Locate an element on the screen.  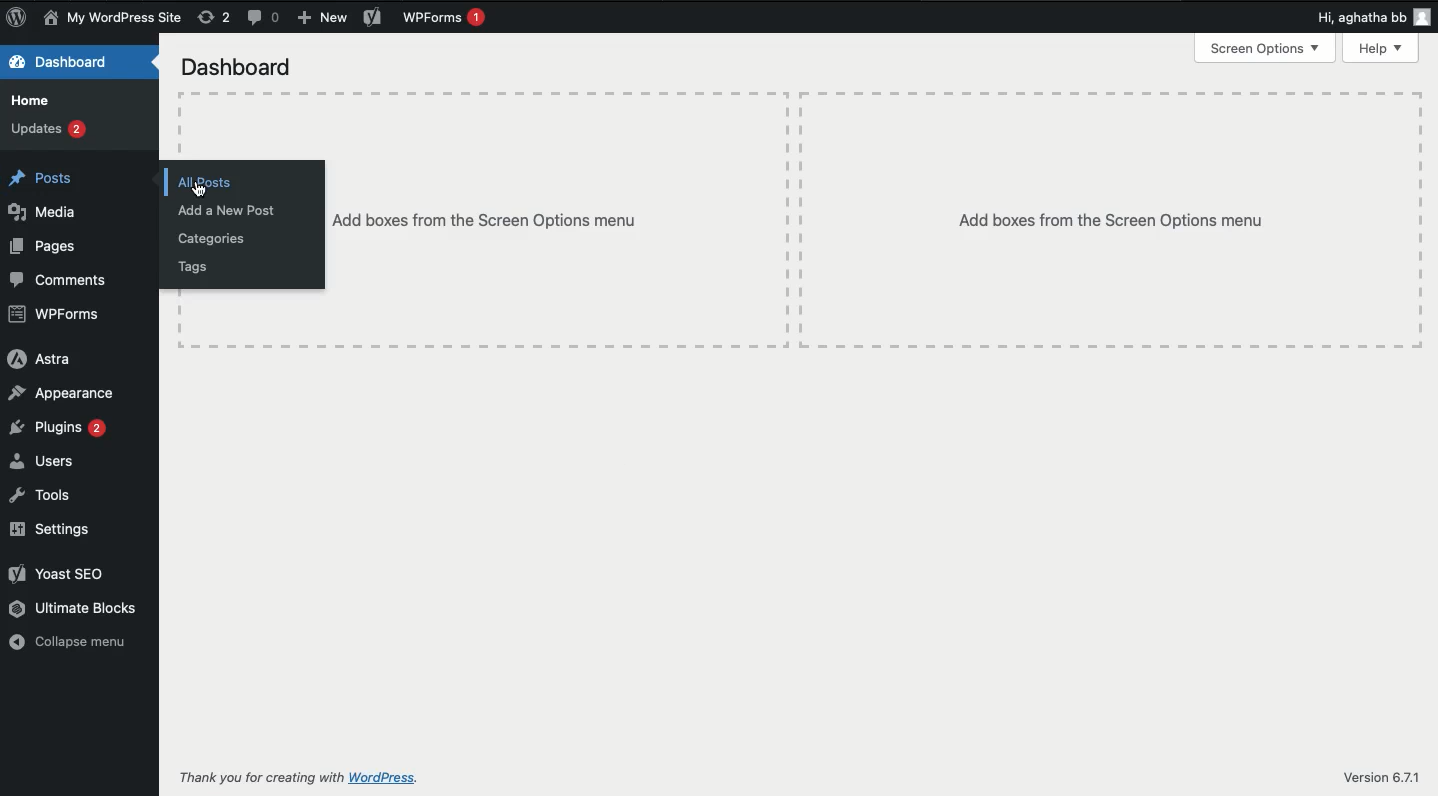
Astra is located at coordinates (38, 359).